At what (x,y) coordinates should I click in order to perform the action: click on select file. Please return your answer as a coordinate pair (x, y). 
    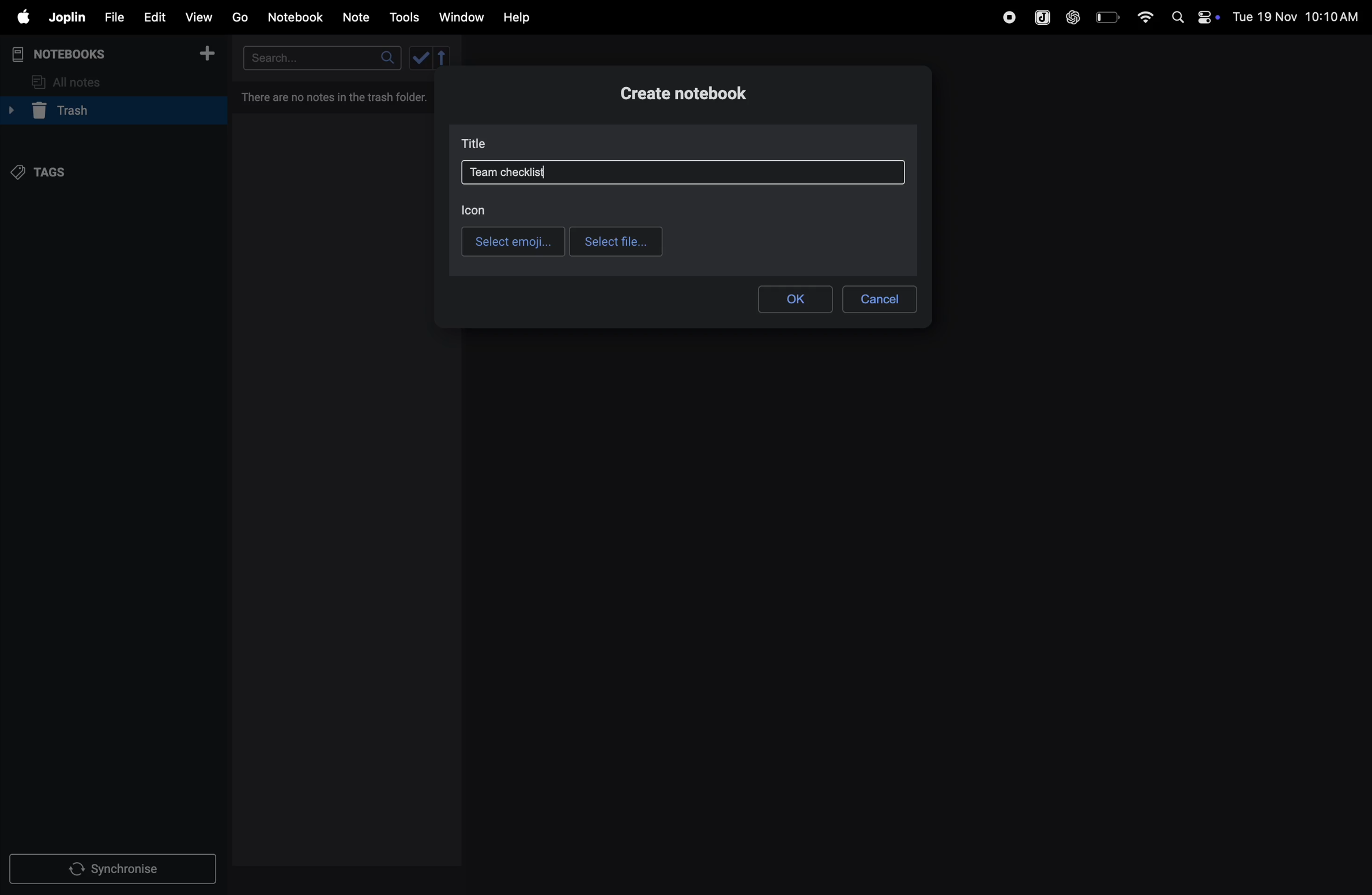
    Looking at the image, I should click on (615, 241).